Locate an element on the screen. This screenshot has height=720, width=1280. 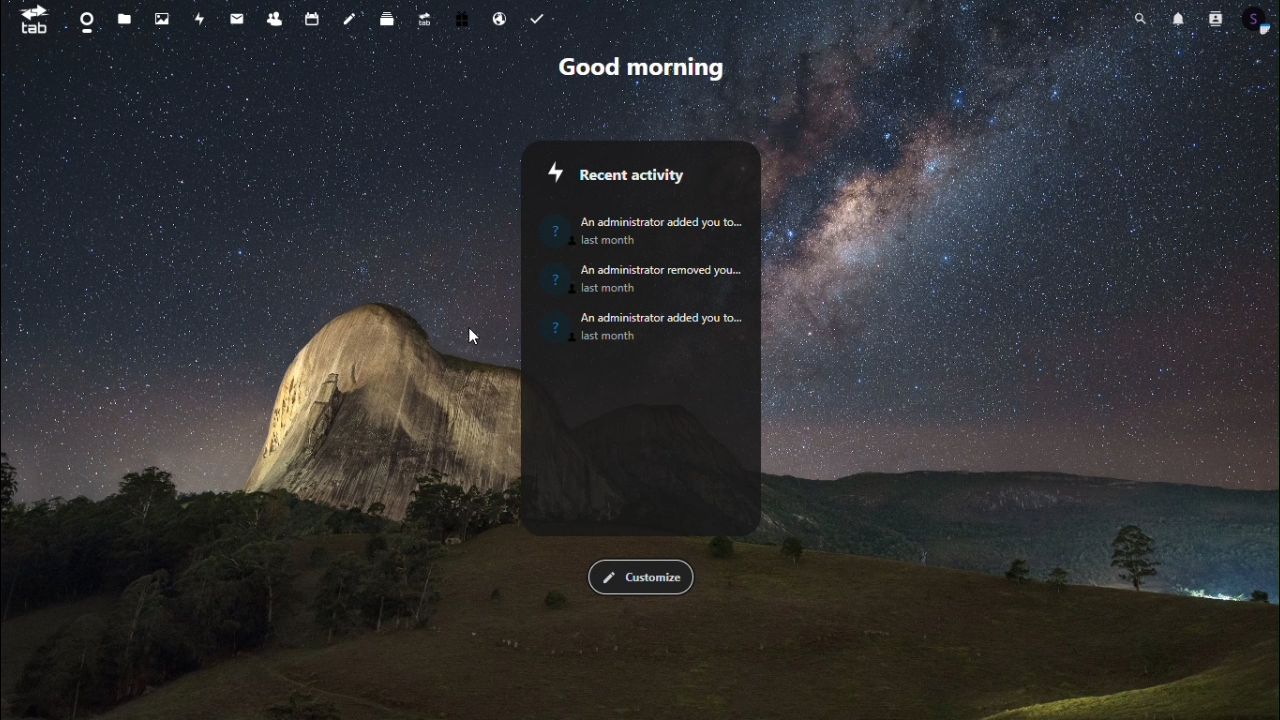
Image is located at coordinates (554, 327).